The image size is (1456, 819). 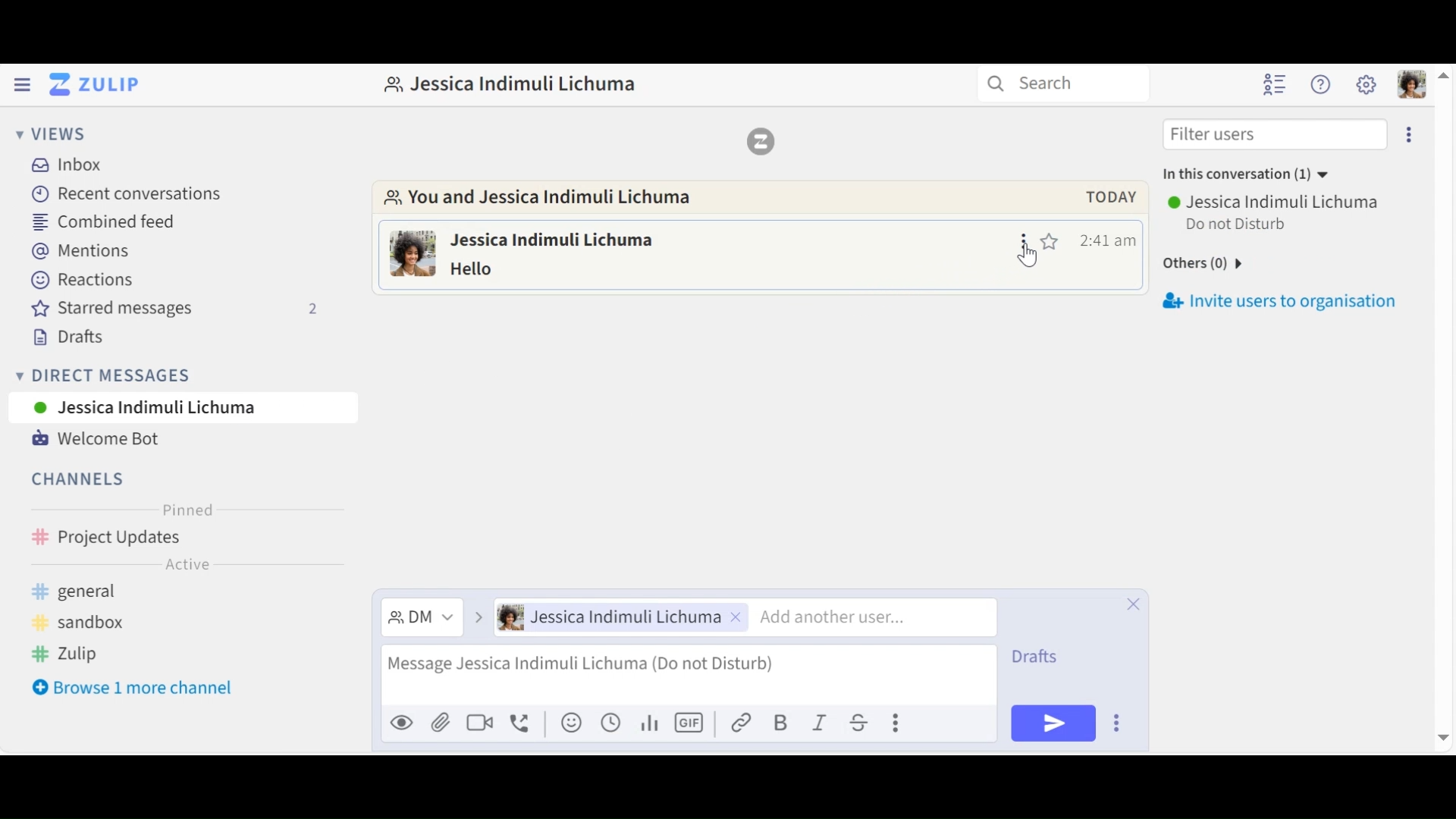 What do you see at coordinates (571, 723) in the screenshot?
I see `Add an emoji` at bounding box center [571, 723].